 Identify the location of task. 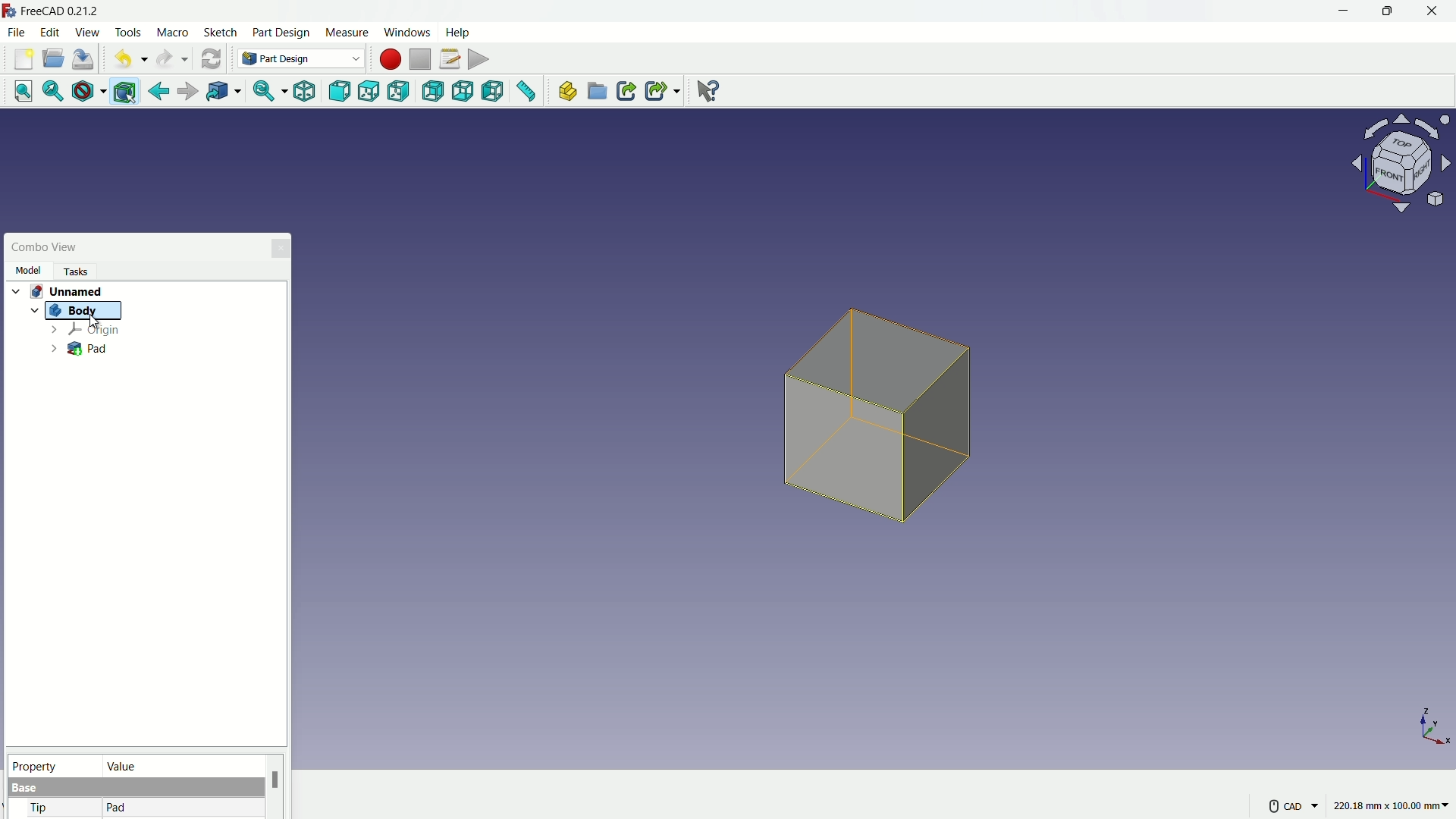
(80, 270).